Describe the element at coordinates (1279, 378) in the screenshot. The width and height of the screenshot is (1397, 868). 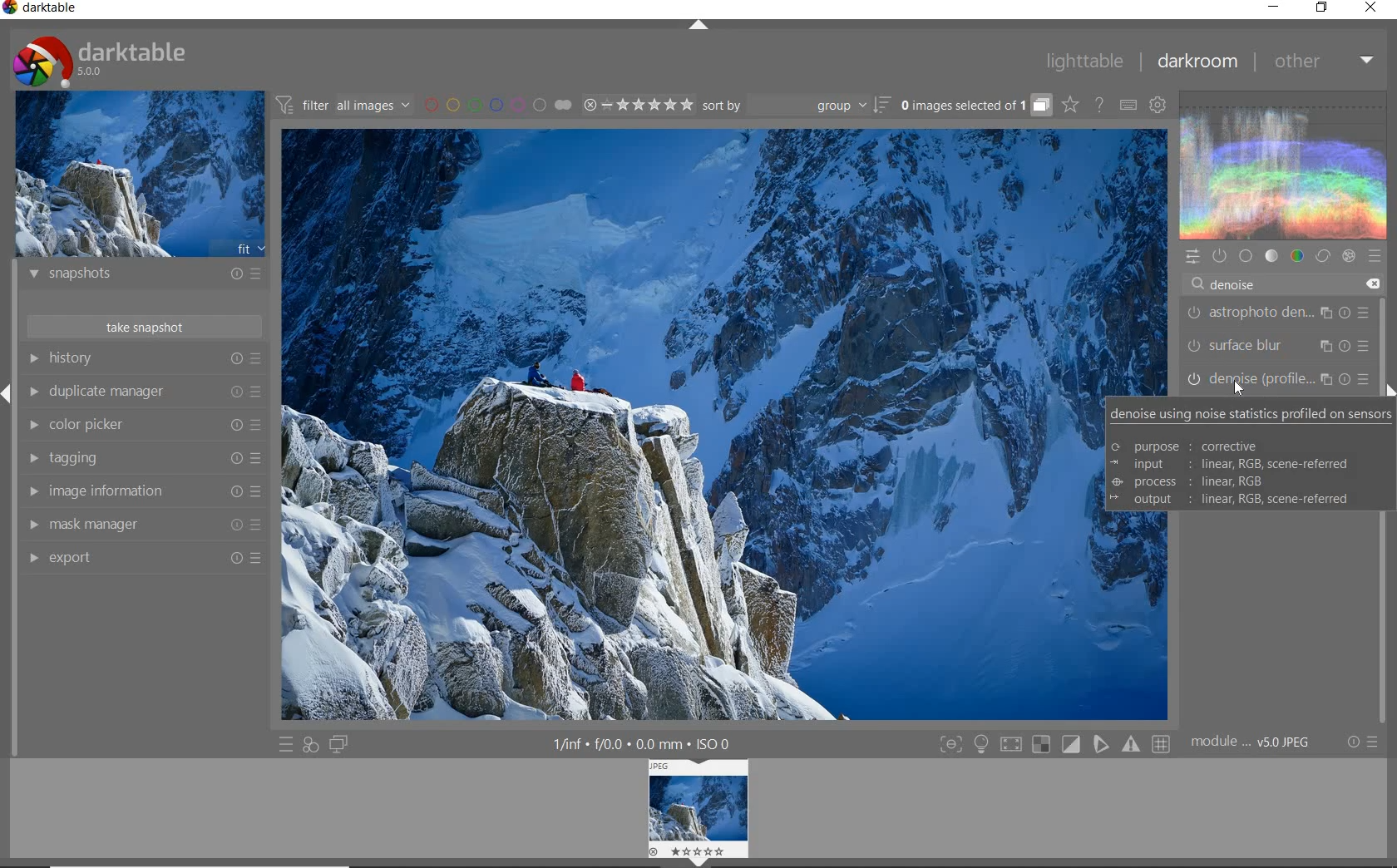
I see `denoise (PROFILE...` at that location.